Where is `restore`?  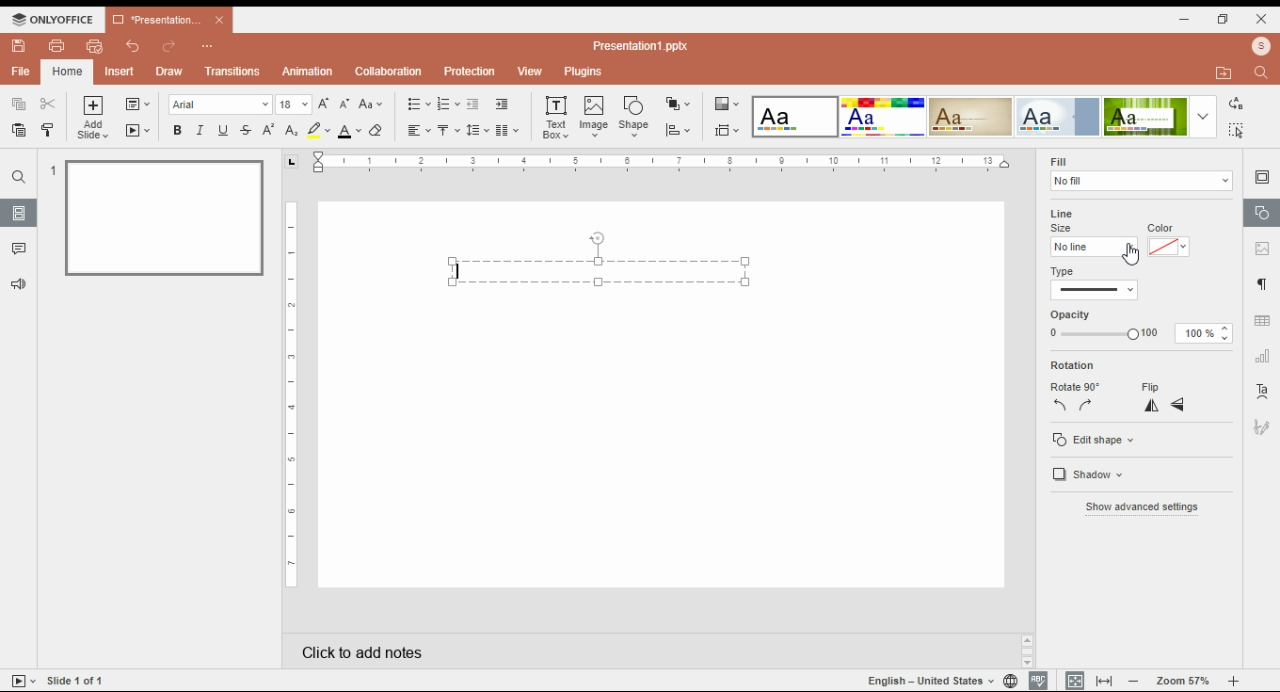 restore is located at coordinates (1224, 20).